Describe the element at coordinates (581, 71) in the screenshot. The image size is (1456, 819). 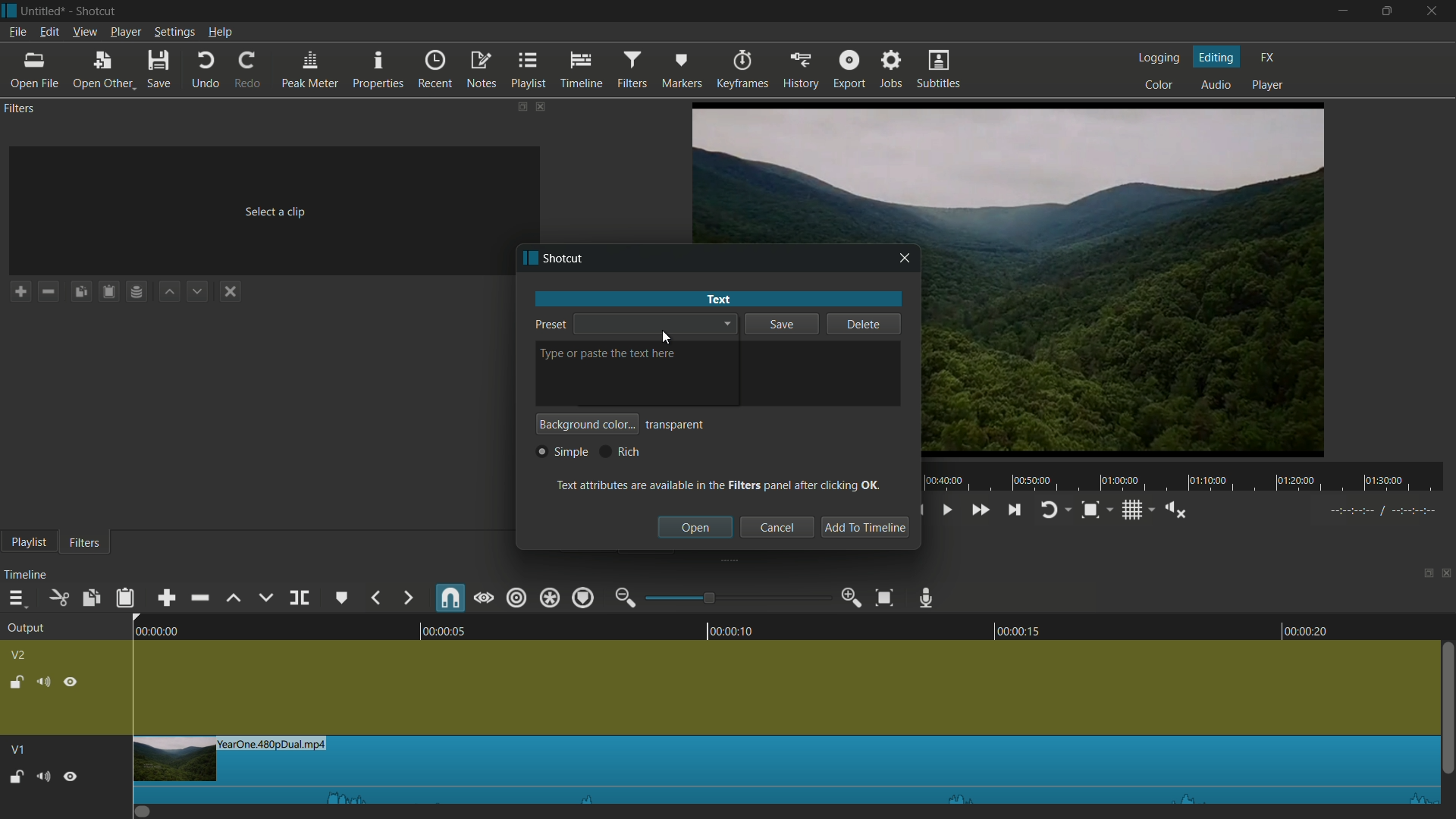
I see `timeline` at that location.